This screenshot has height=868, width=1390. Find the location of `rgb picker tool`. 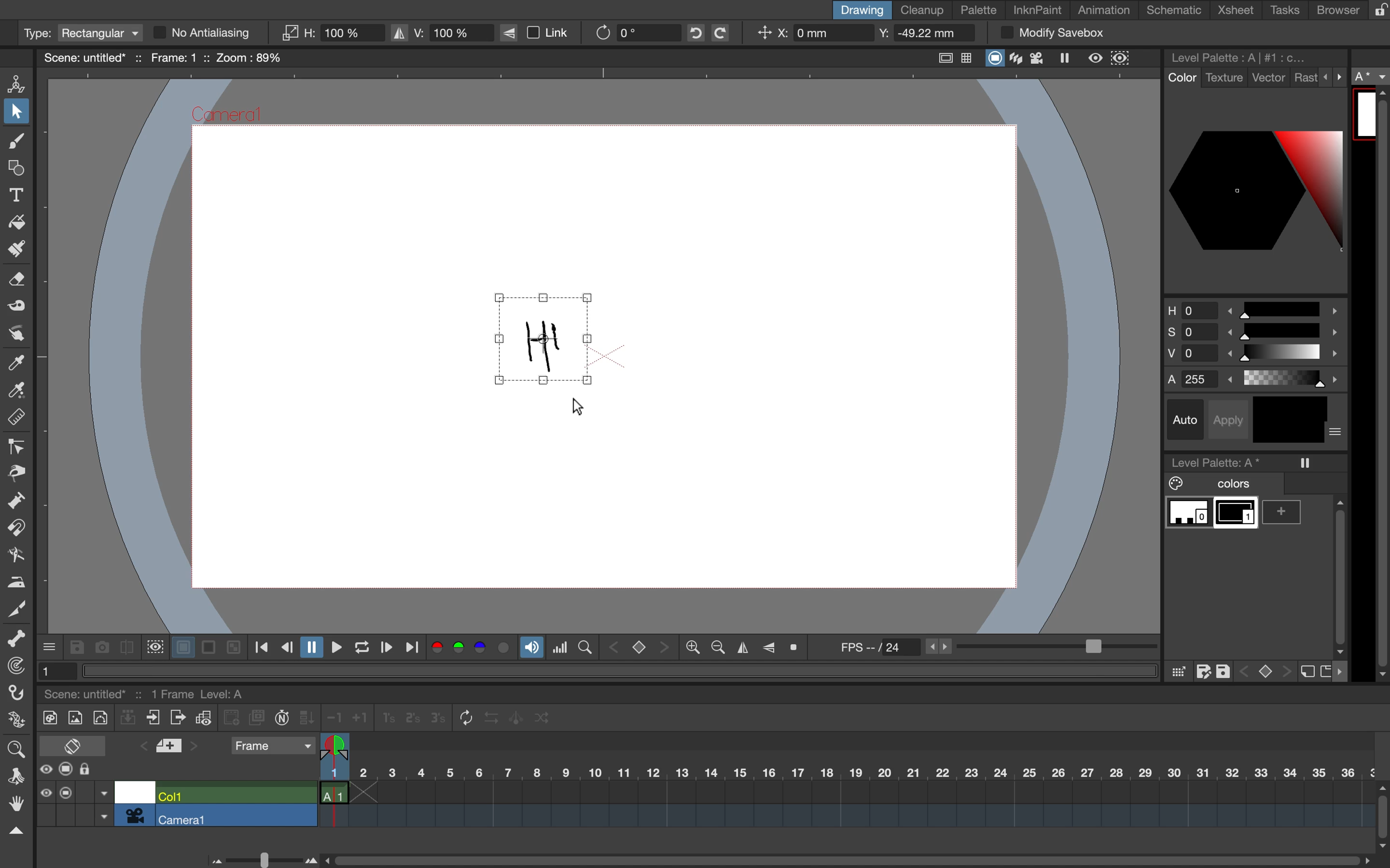

rgb picker tool is located at coordinates (14, 391).